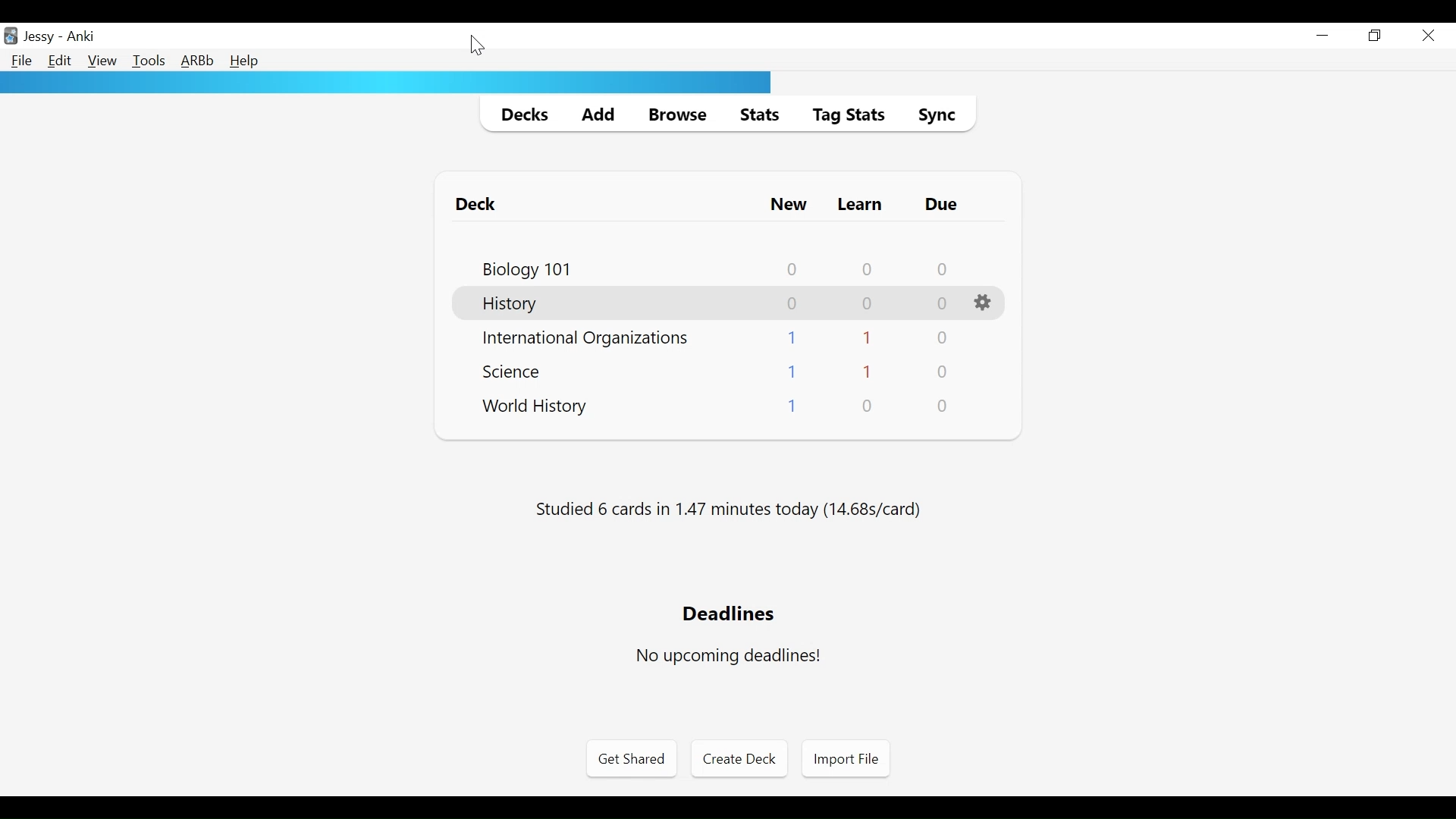  What do you see at coordinates (20, 61) in the screenshot?
I see `File` at bounding box center [20, 61].